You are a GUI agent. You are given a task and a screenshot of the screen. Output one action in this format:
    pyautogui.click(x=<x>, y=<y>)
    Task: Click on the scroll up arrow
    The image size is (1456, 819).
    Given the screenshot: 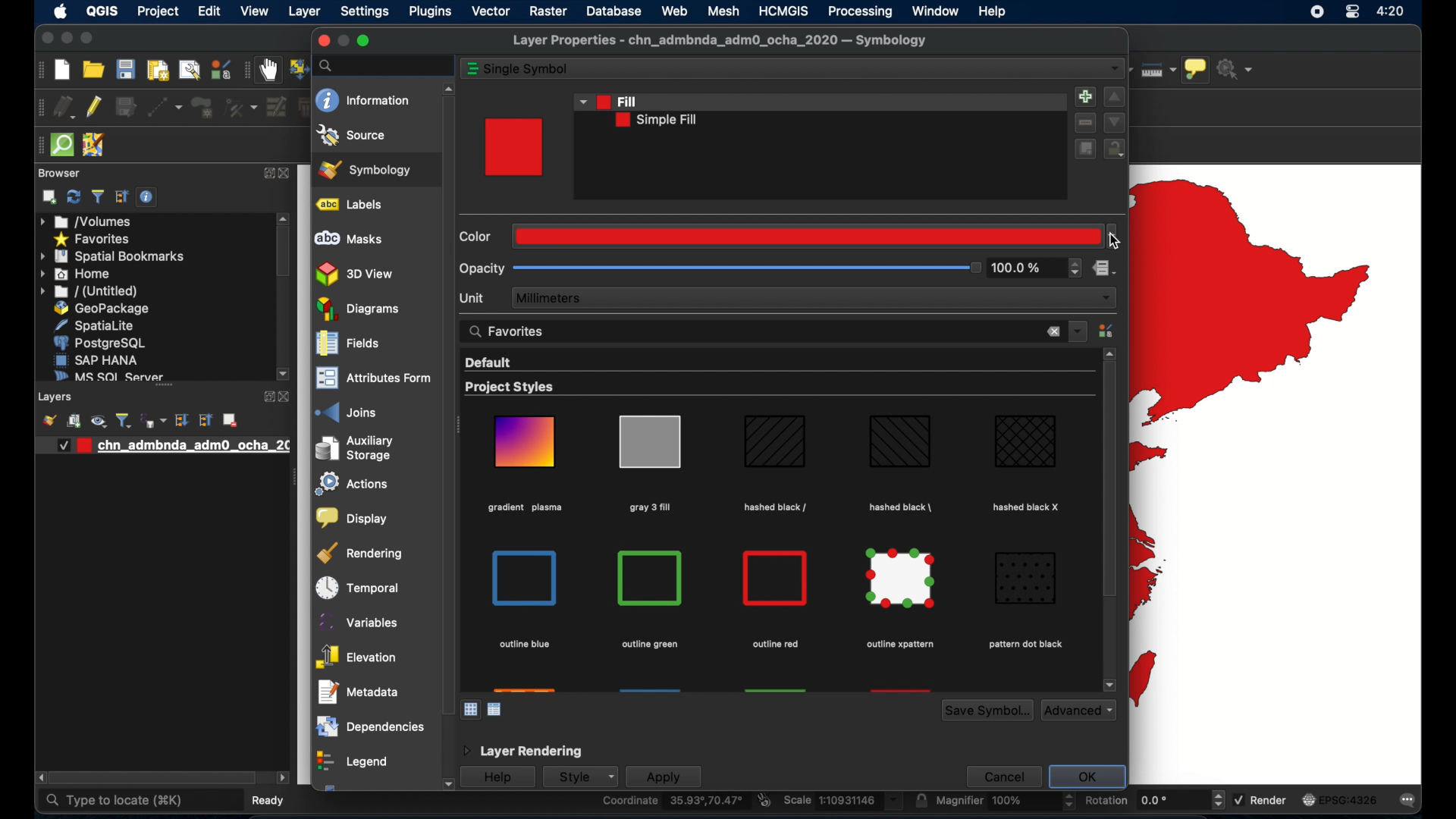 What is the action you would take?
    pyautogui.click(x=1110, y=353)
    